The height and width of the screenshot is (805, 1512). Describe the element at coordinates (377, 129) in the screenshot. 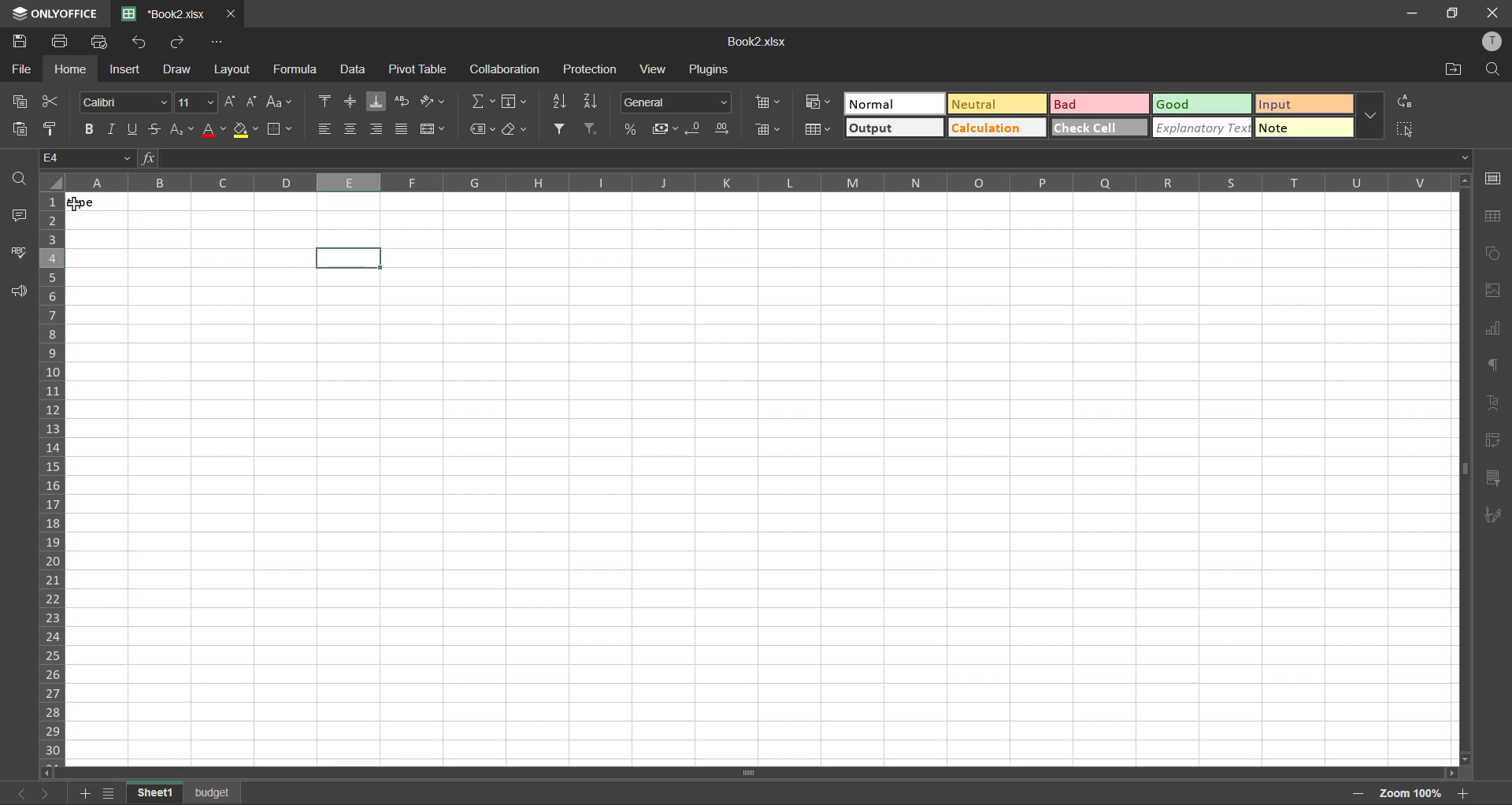

I see `align bottom` at that location.